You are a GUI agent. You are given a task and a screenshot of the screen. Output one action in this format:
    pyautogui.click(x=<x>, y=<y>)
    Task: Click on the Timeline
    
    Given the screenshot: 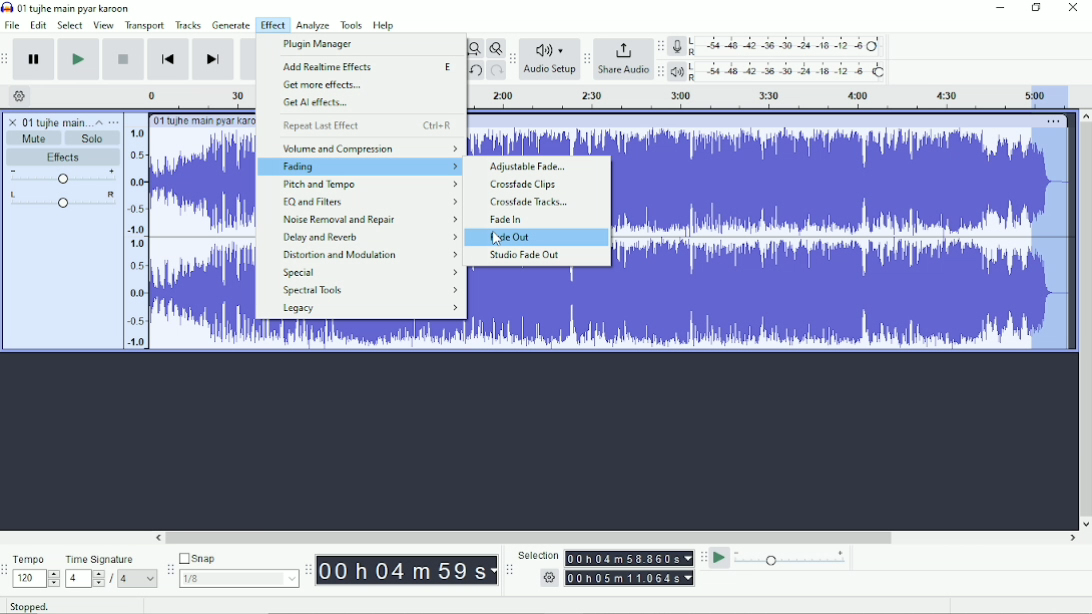 What is the action you would take?
    pyautogui.click(x=775, y=96)
    